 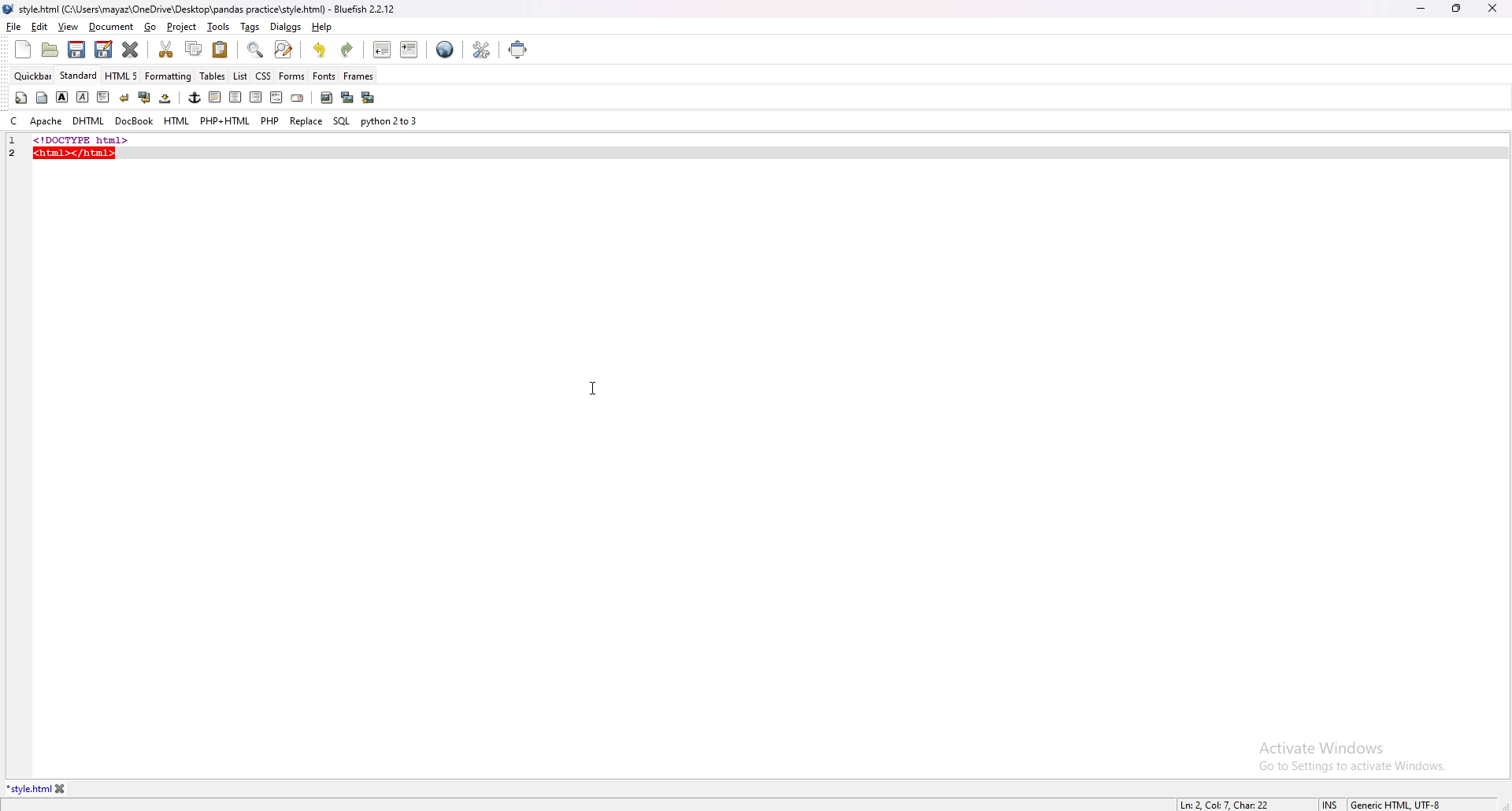 I want to click on close current tab, so click(x=132, y=50).